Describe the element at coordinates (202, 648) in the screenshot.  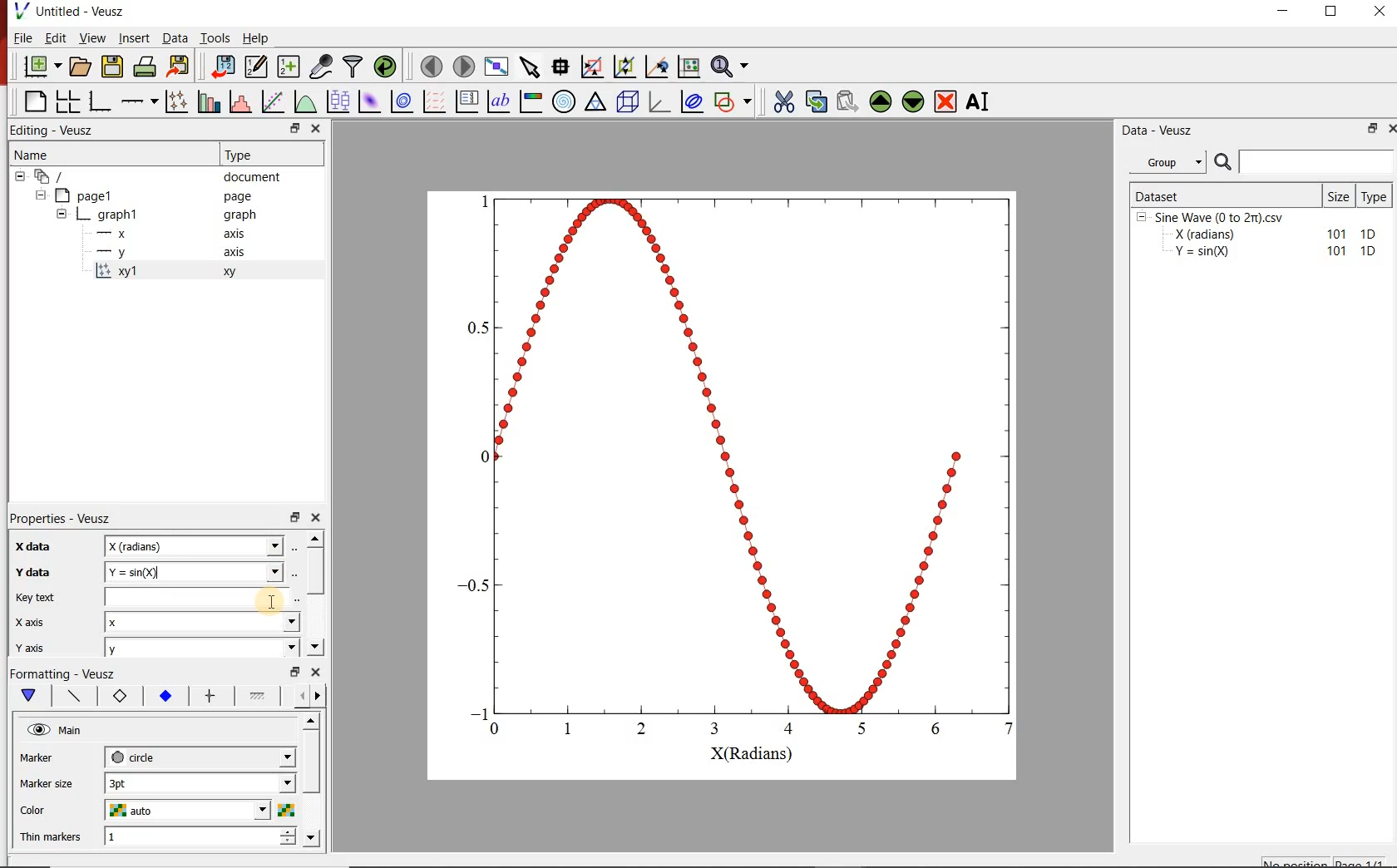
I see `y` at that location.